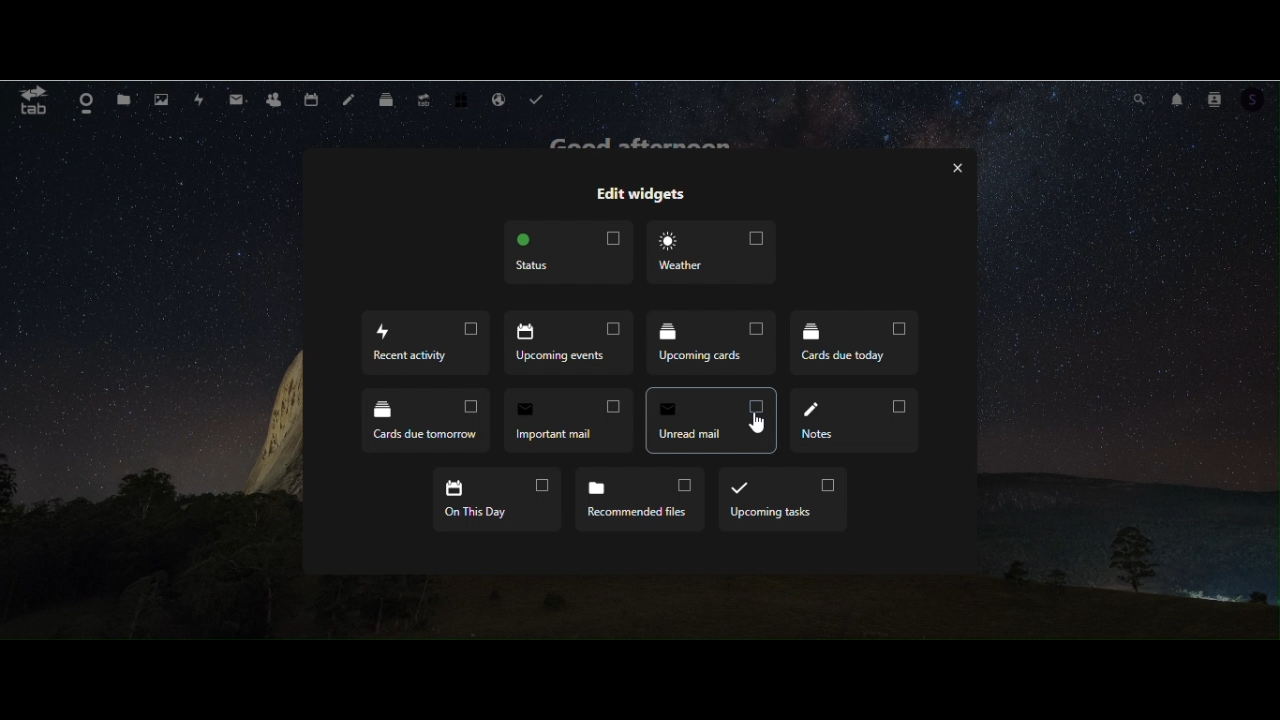 The image size is (1280, 720). What do you see at coordinates (640, 195) in the screenshot?
I see `Edit widget` at bounding box center [640, 195].